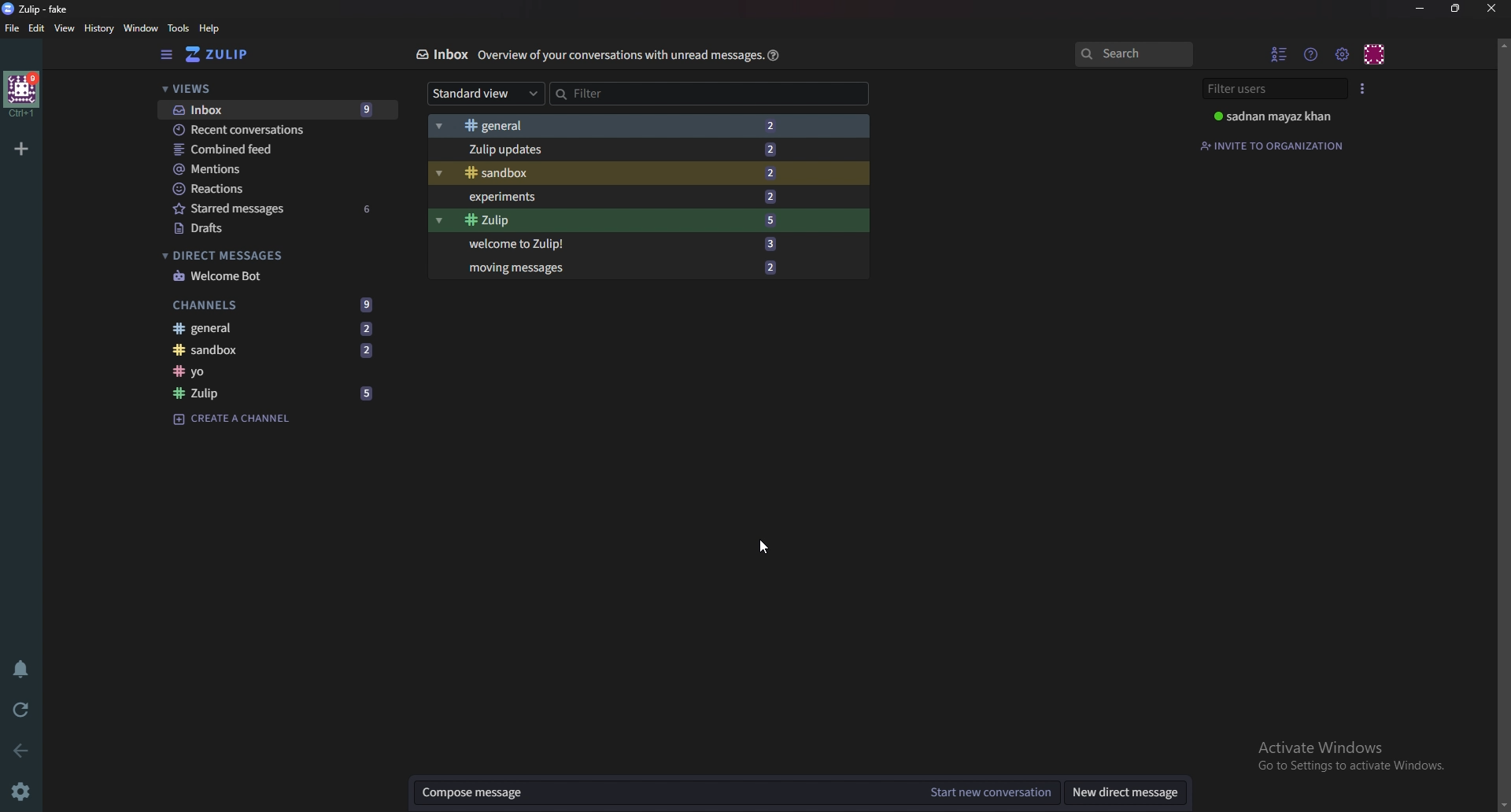 The height and width of the screenshot is (812, 1511). What do you see at coordinates (222, 56) in the screenshot?
I see `Switch to home view` at bounding box center [222, 56].